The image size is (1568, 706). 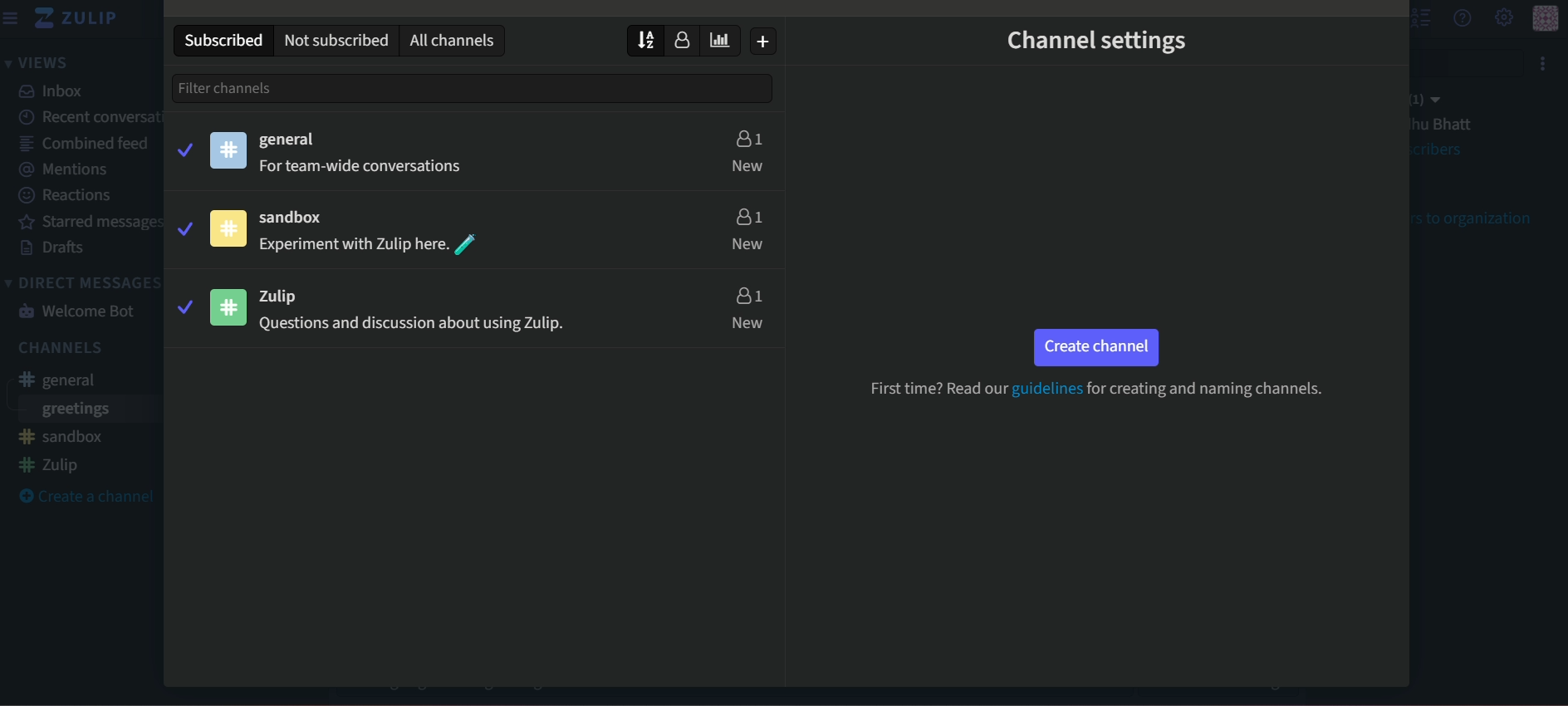 What do you see at coordinates (228, 228) in the screenshot?
I see `icon` at bounding box center [228, 228].